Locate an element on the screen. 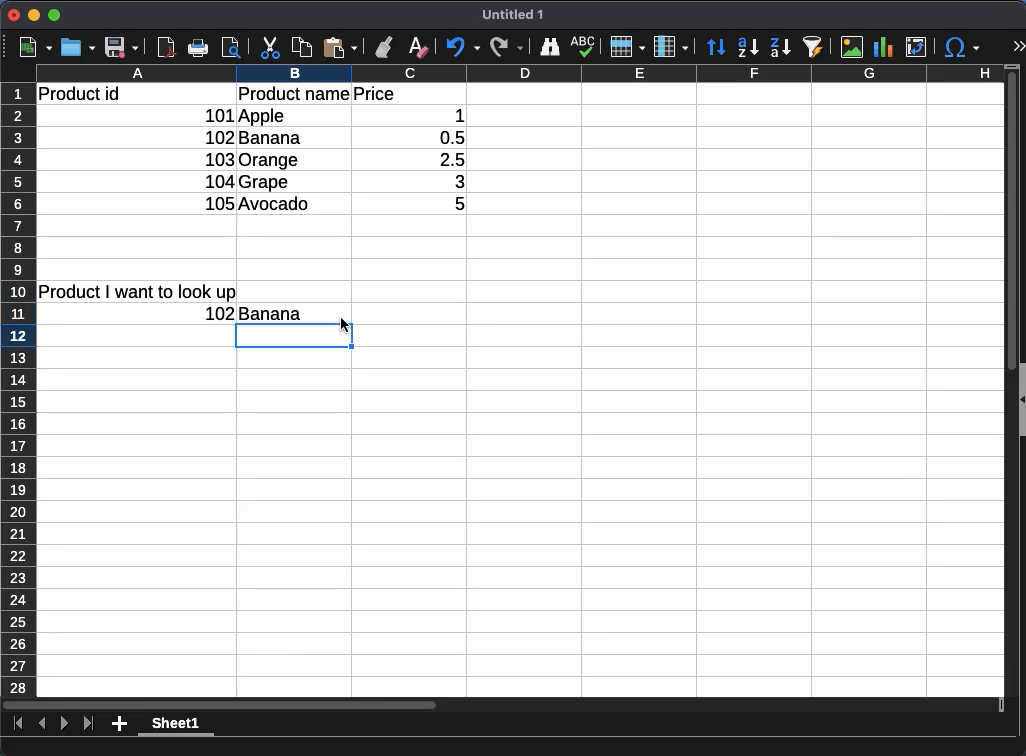 Image resolution: width=1026 pixels, height=756 pixels. add is located at coordinates (119, 724).